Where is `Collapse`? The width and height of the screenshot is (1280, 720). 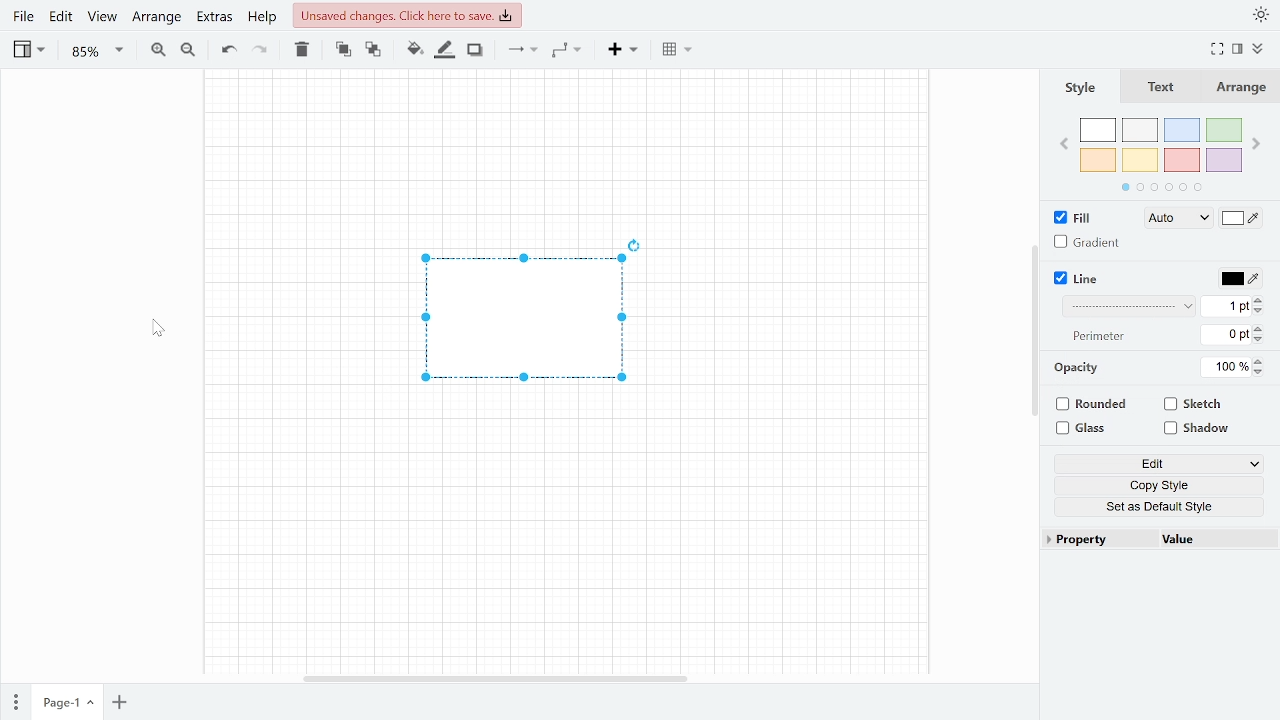
Collapse is located at coordinates (1259, 49).